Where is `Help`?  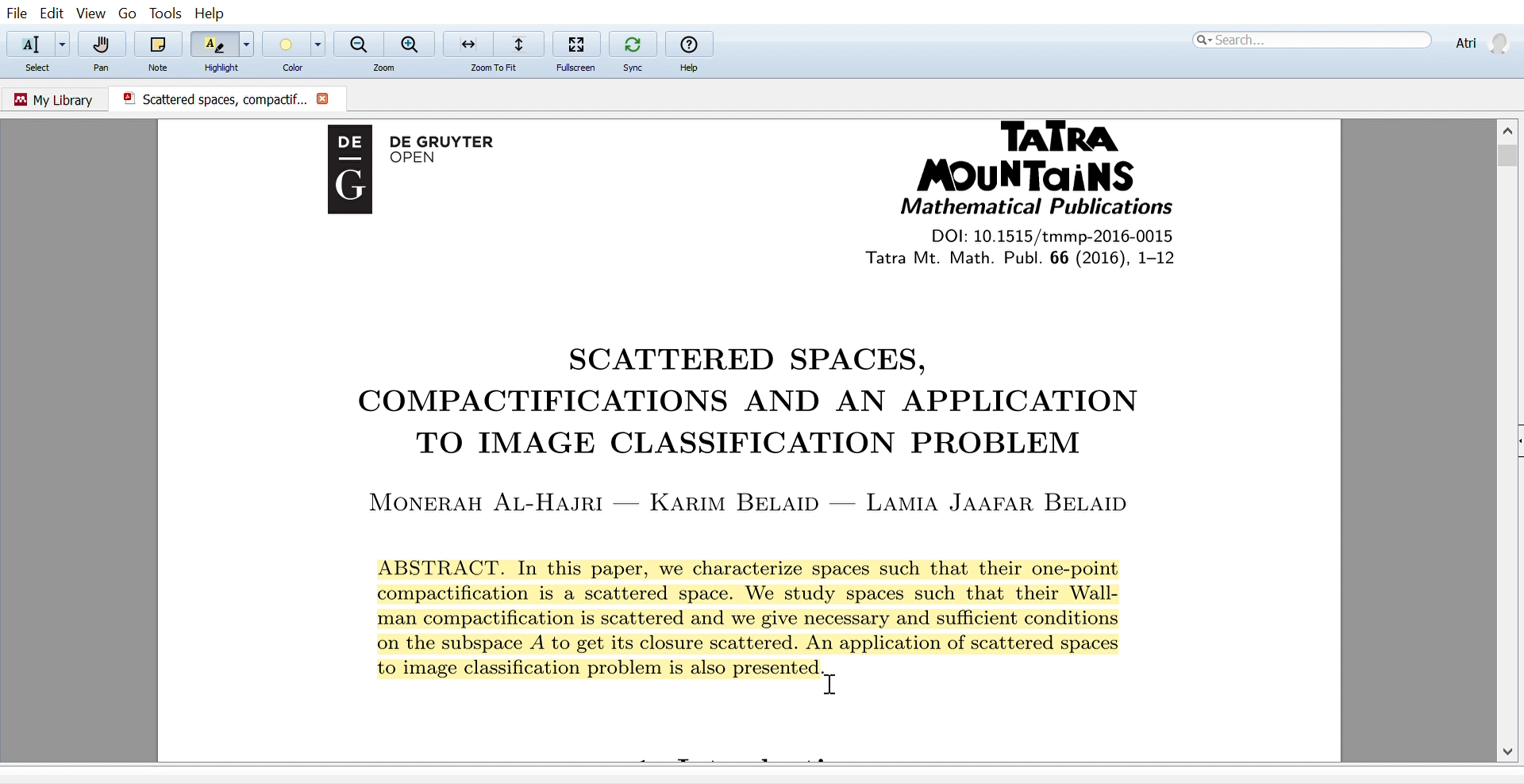
Help is located at coordinates (214, 13).